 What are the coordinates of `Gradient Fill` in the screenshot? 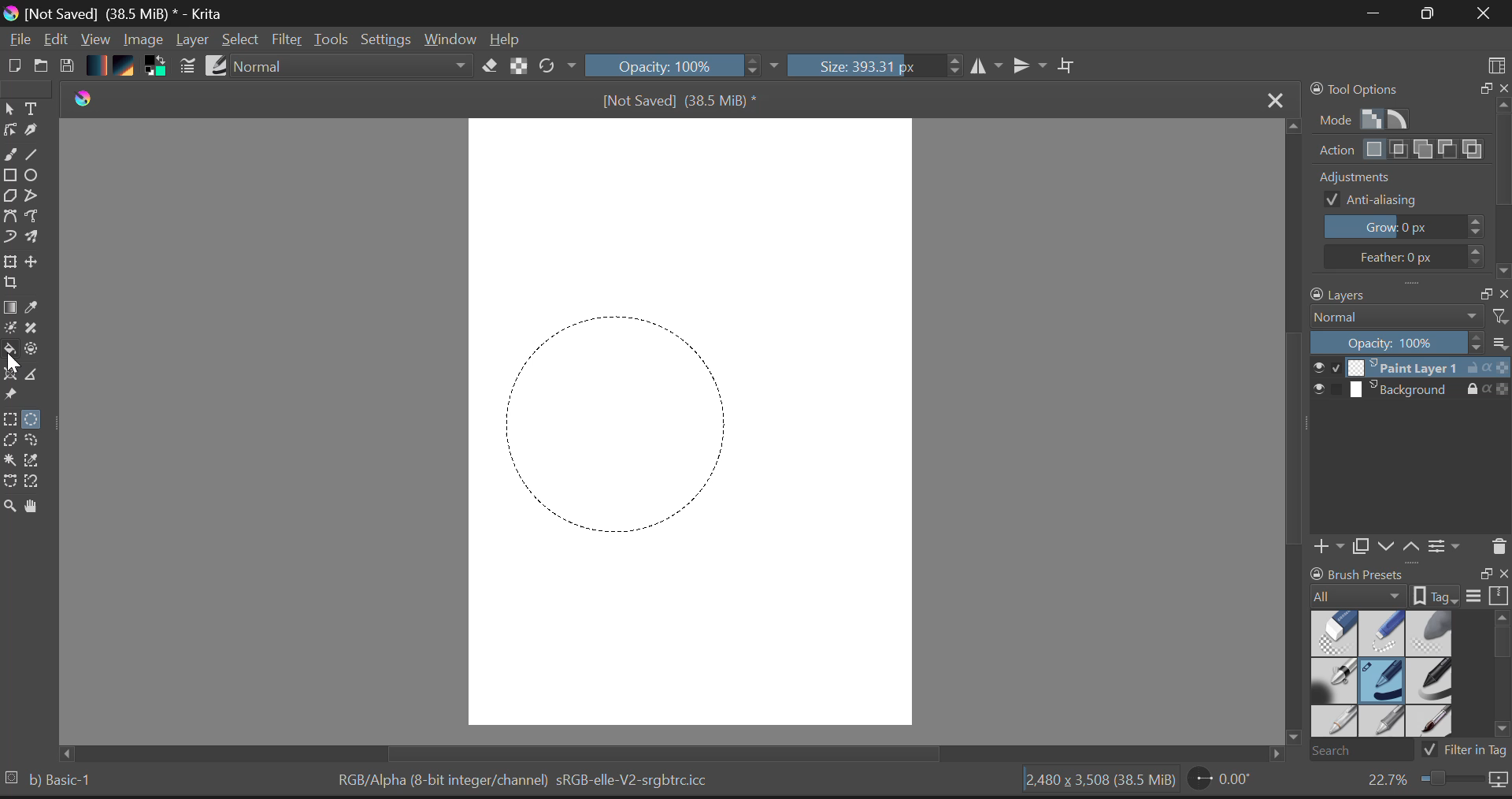 It's located at (10, 309).